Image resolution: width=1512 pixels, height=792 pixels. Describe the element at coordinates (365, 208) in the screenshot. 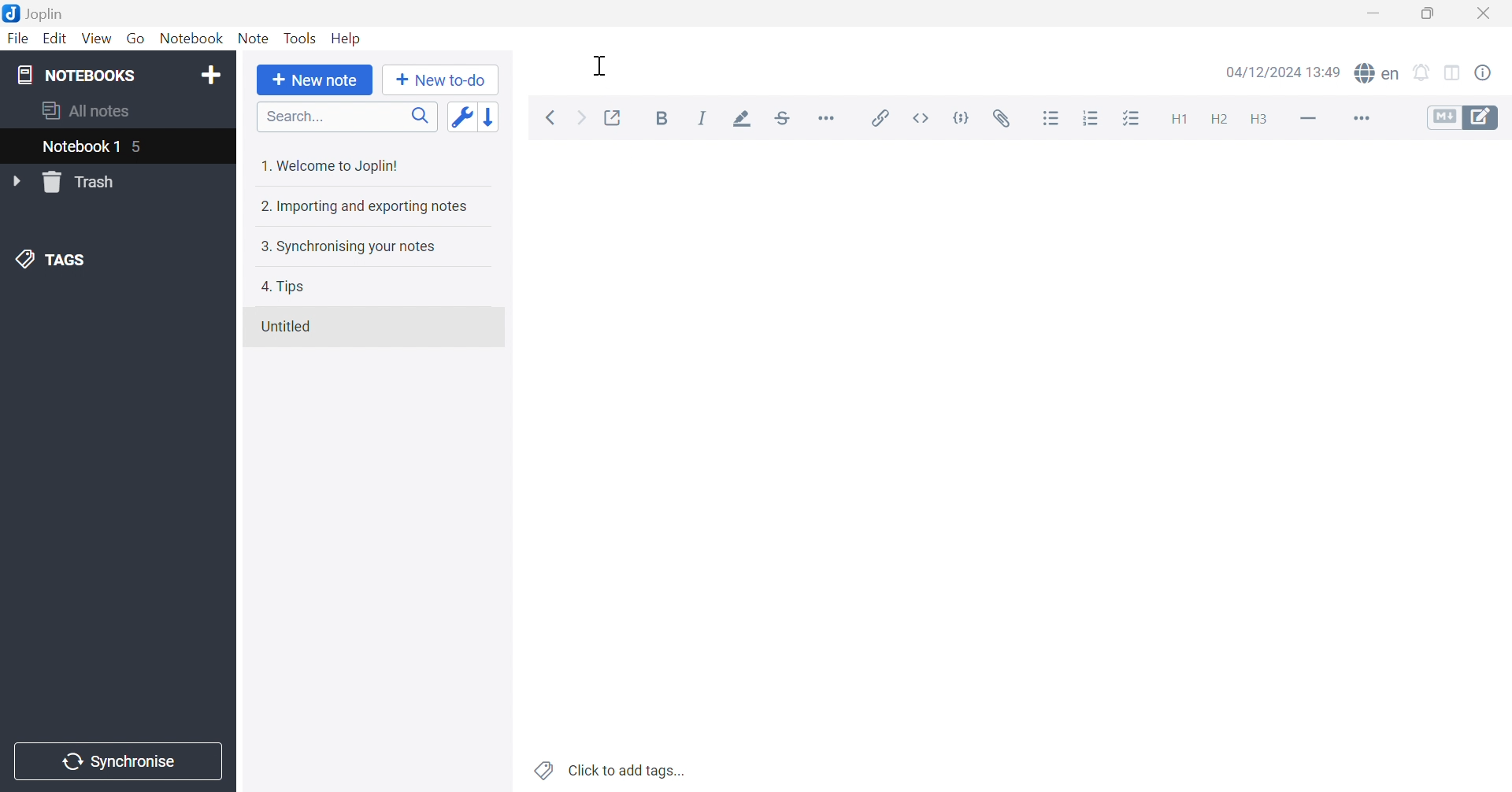

I see `2. Importing and exporting notes` at that location.